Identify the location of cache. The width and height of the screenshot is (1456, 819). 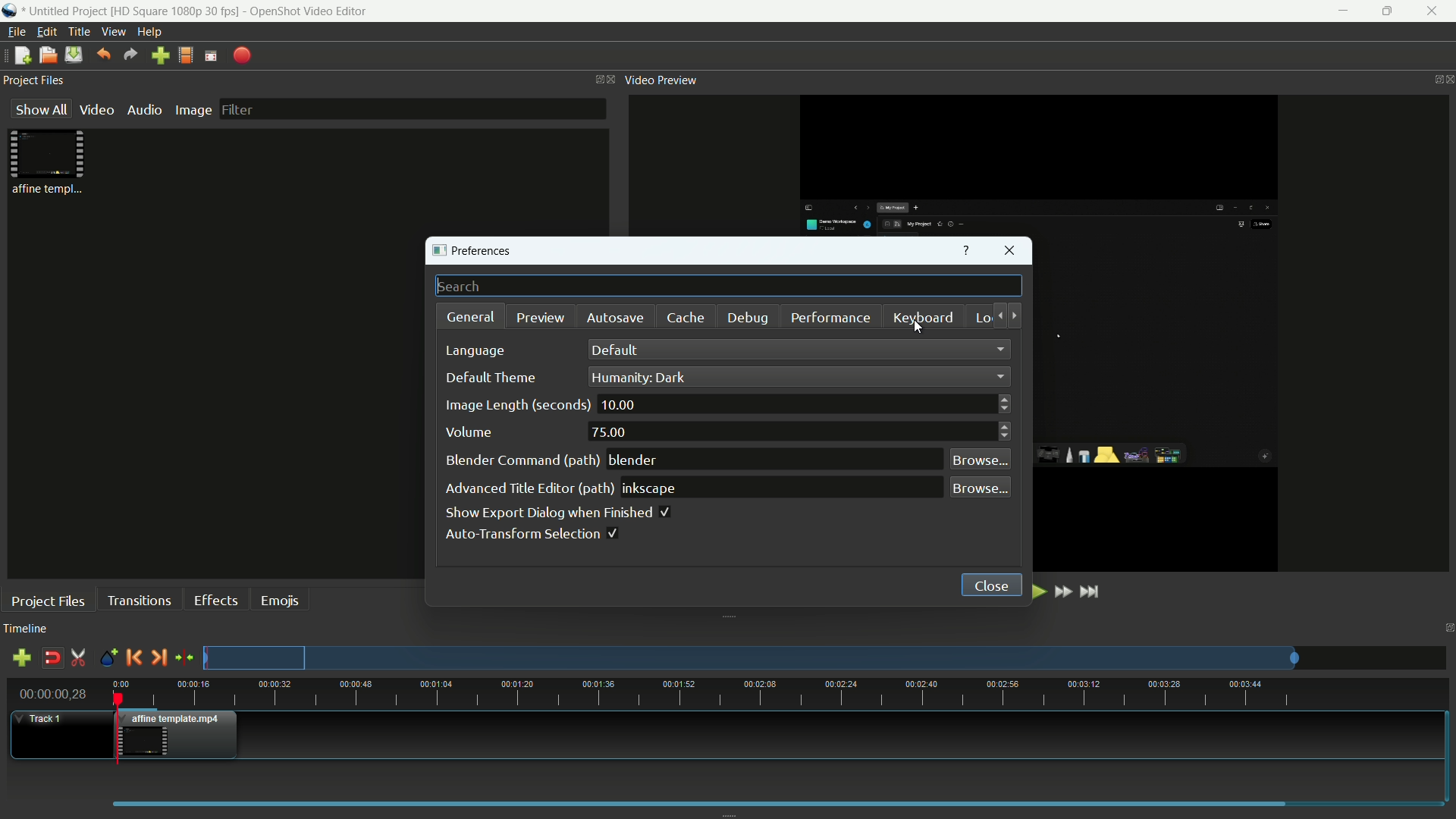
(686, 318).